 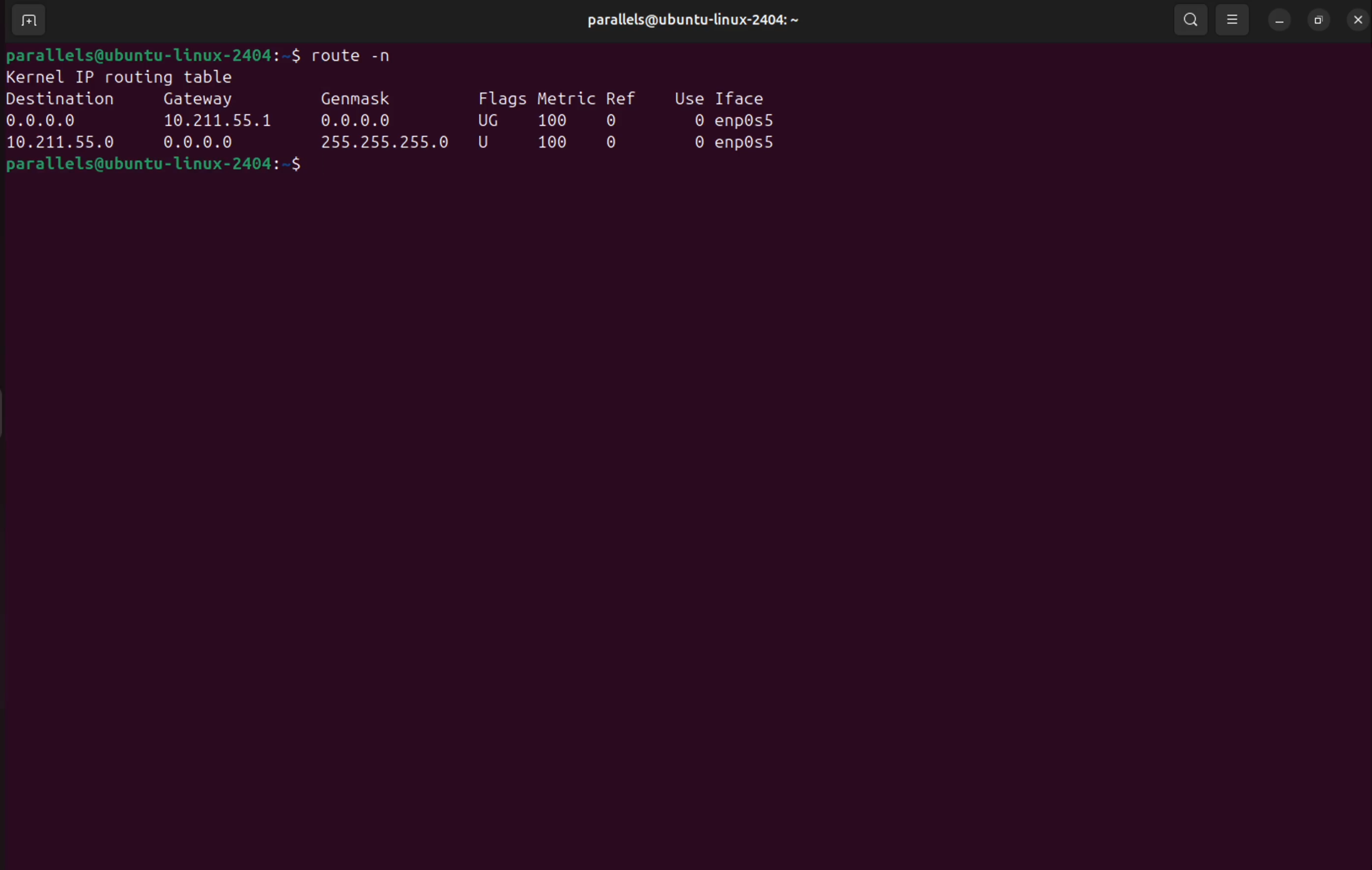 I want to click on 0.0.0.0, so click(x=210, y=141).